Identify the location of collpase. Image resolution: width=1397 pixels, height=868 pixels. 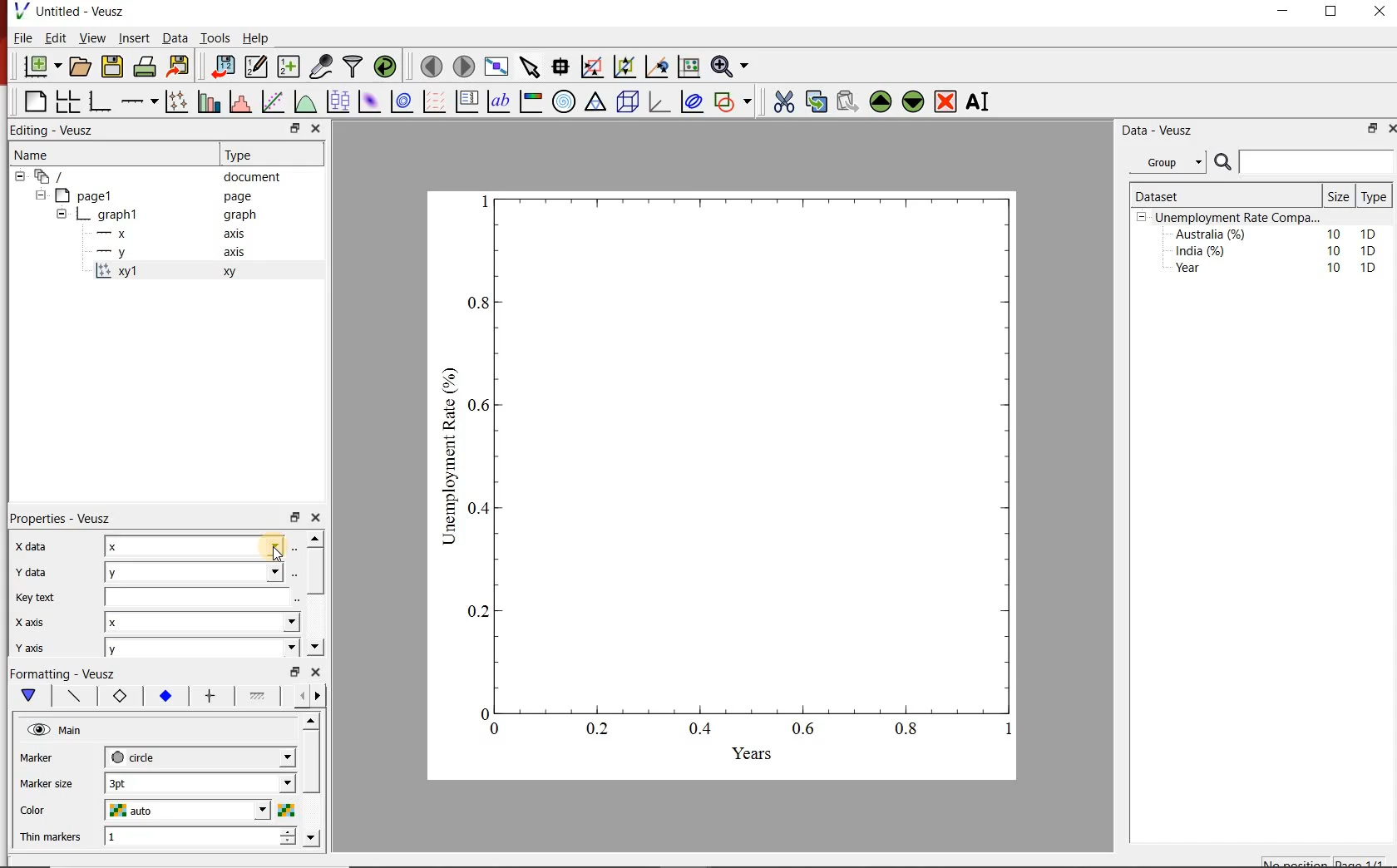
(1142, 218).